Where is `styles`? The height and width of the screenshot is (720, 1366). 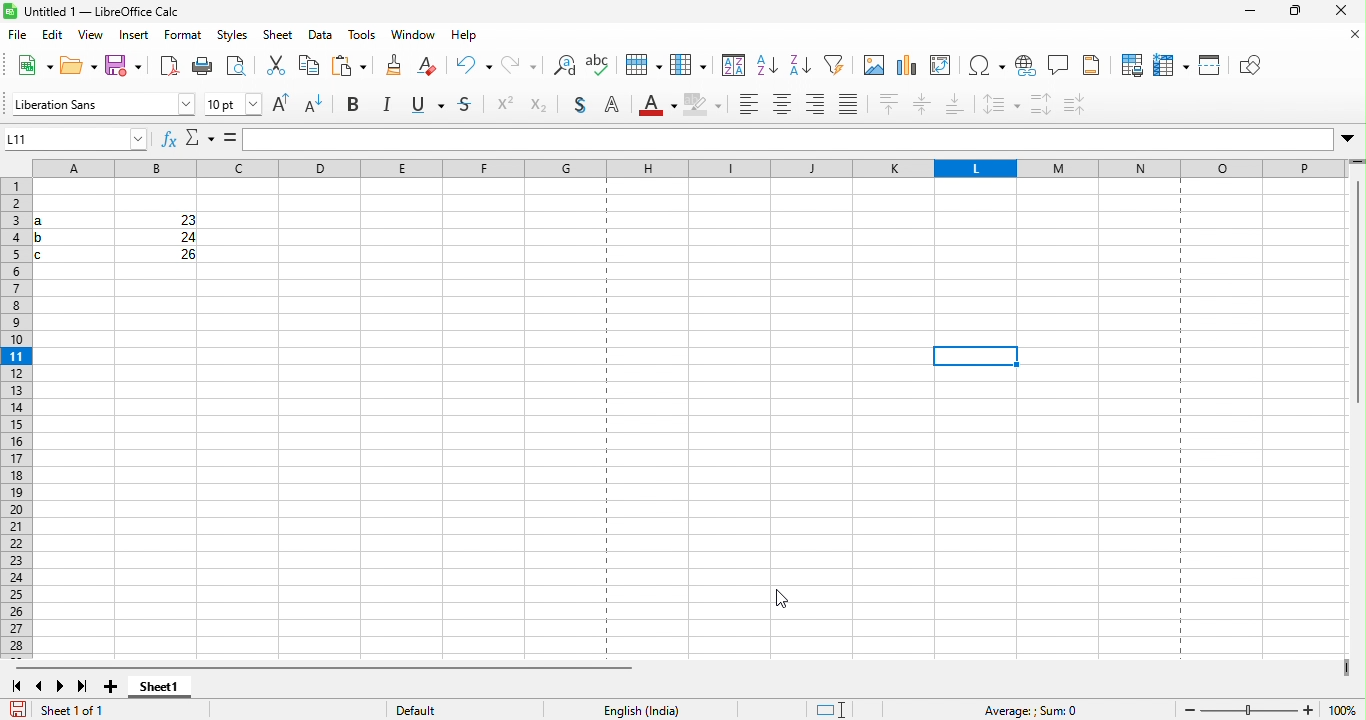 styles is located at coordinates (228, 39).